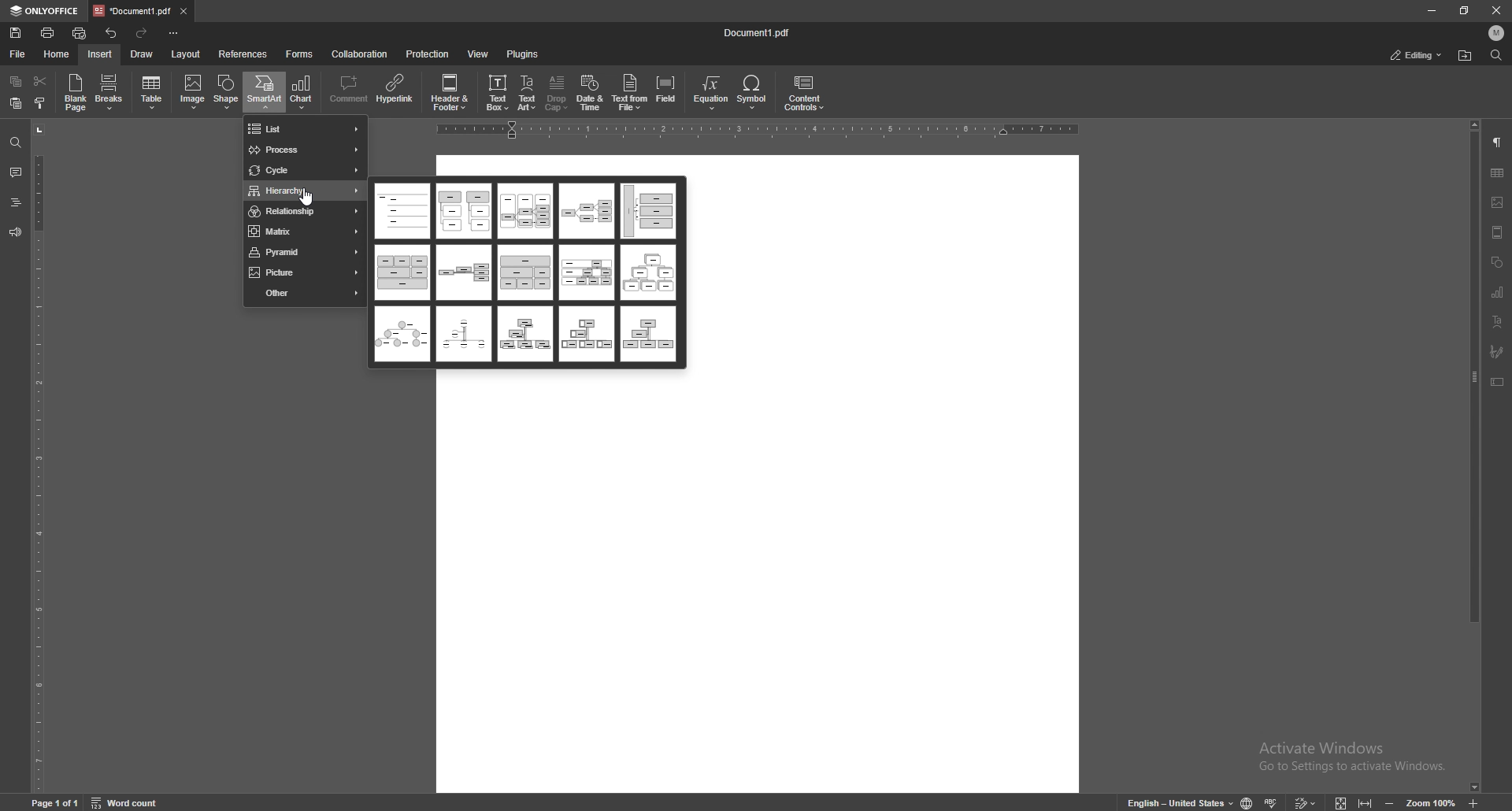 The height and width of the screenshot is (811, 1512). I want to click on comment, so click(350, 91).